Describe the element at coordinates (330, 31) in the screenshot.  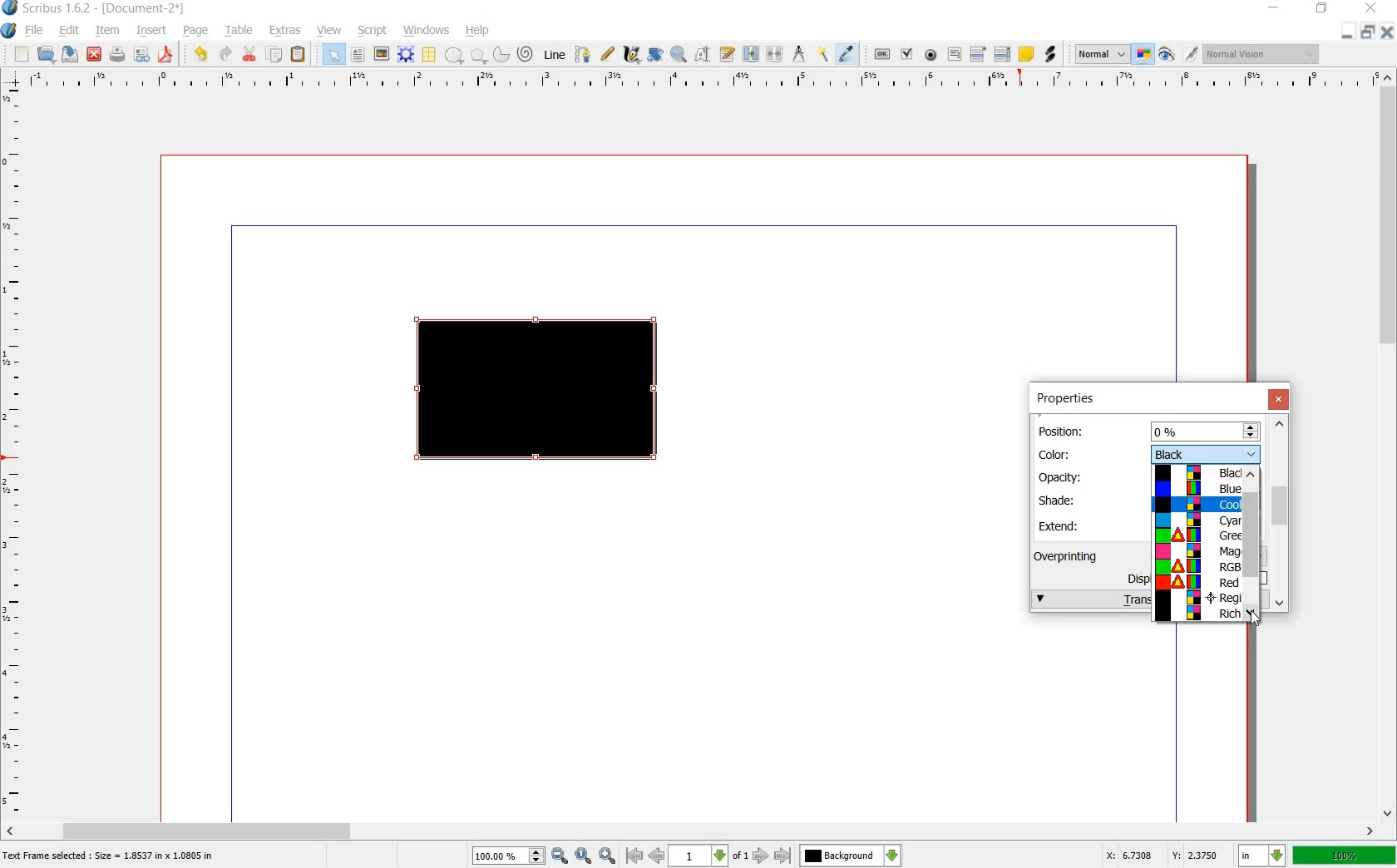
I see `view` at that location.